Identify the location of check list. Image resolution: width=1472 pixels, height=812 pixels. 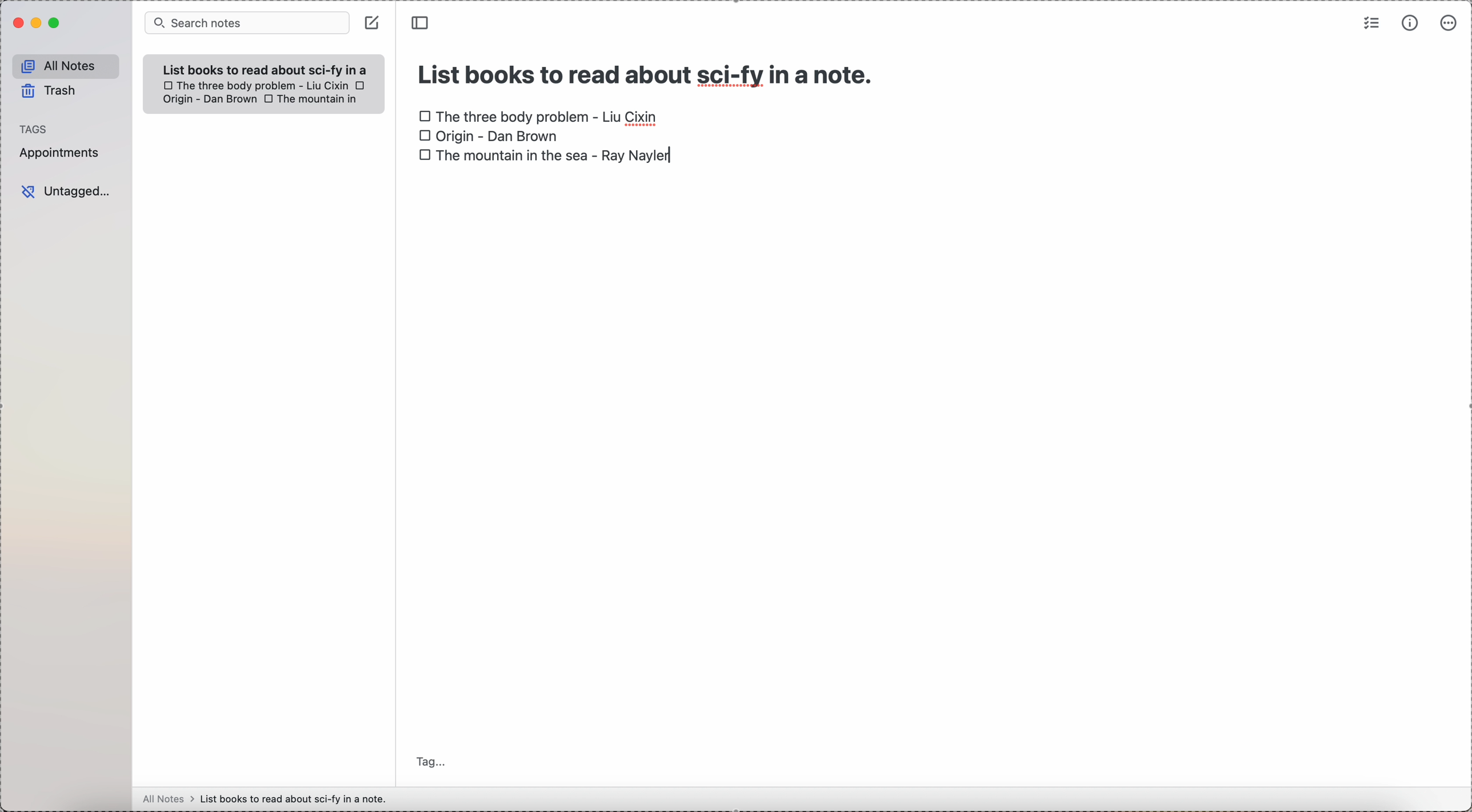
(1371, 23).